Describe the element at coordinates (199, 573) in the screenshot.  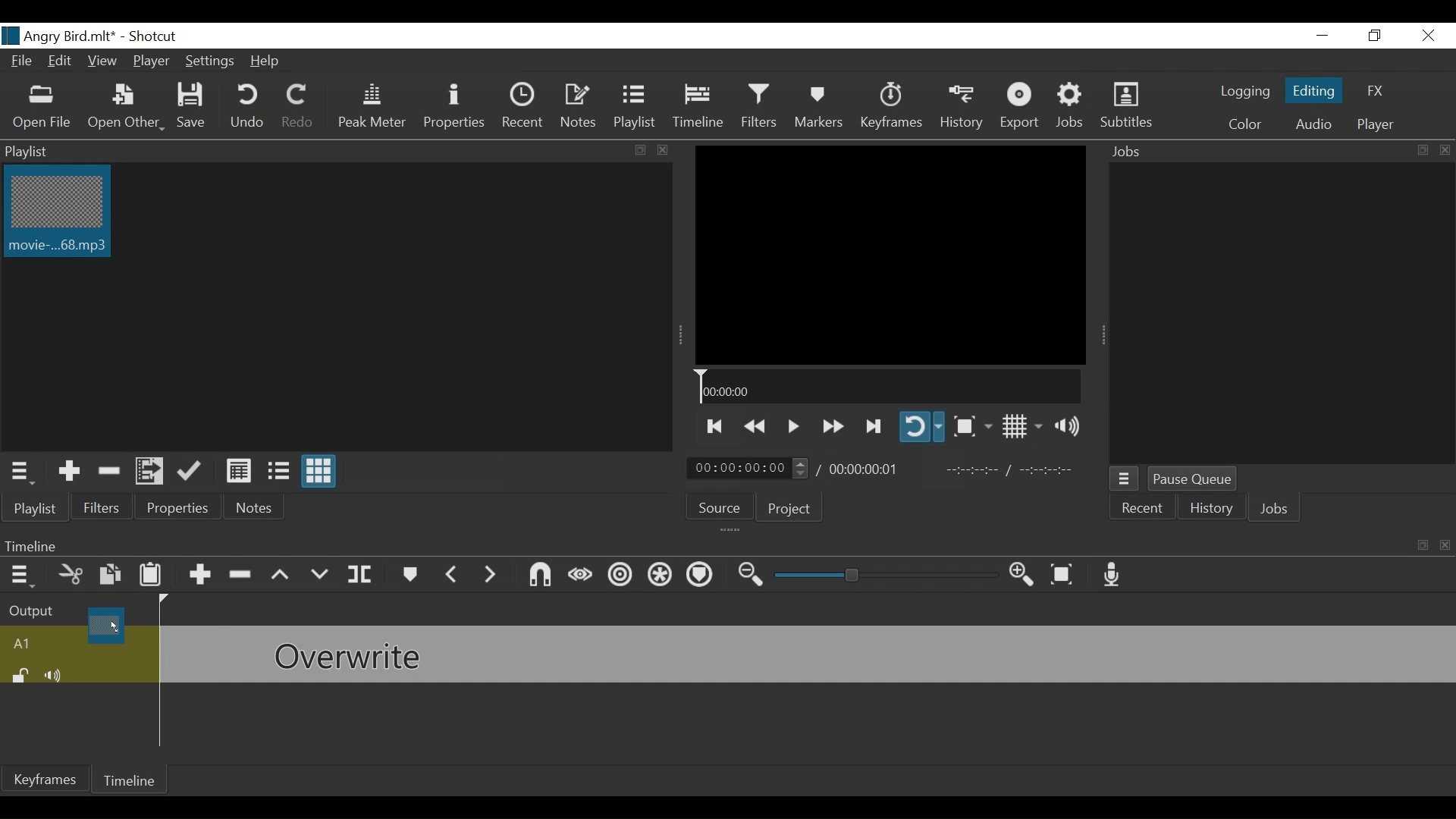
I see `Append` at that location.